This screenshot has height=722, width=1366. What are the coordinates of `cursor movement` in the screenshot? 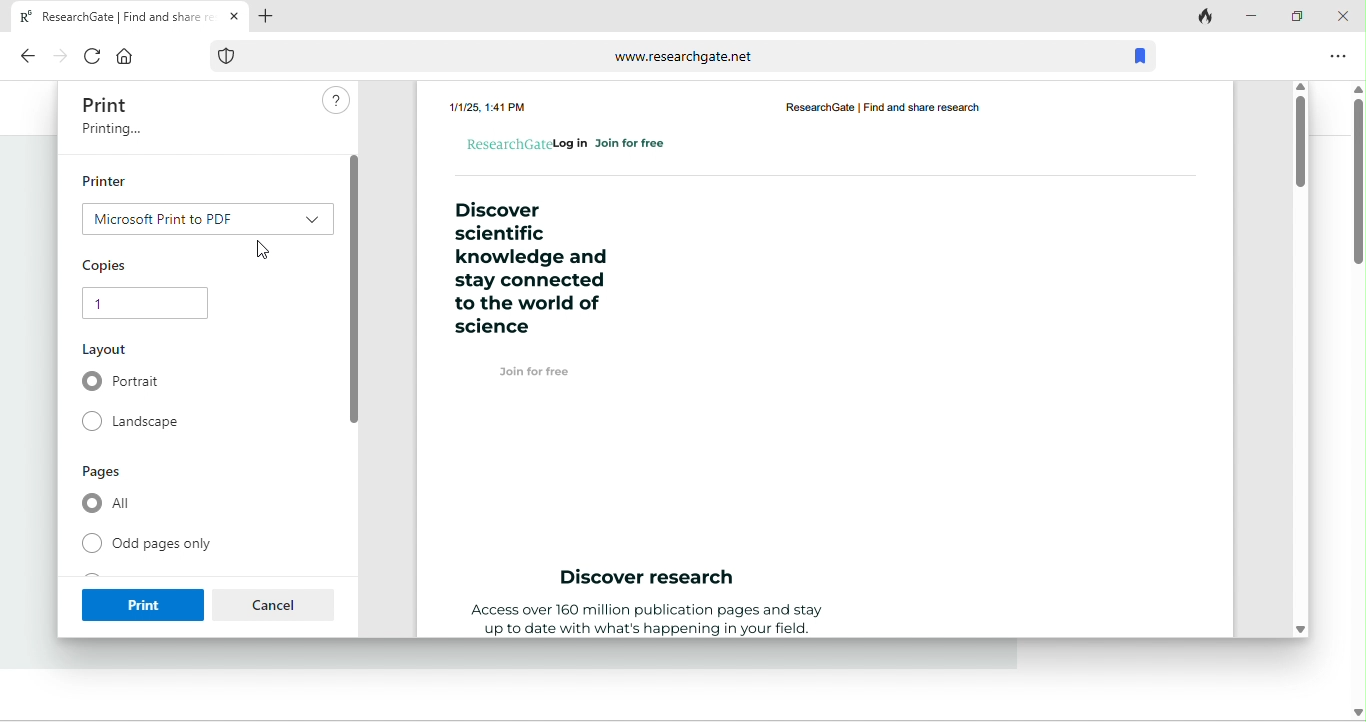 It's located at (267, 253).